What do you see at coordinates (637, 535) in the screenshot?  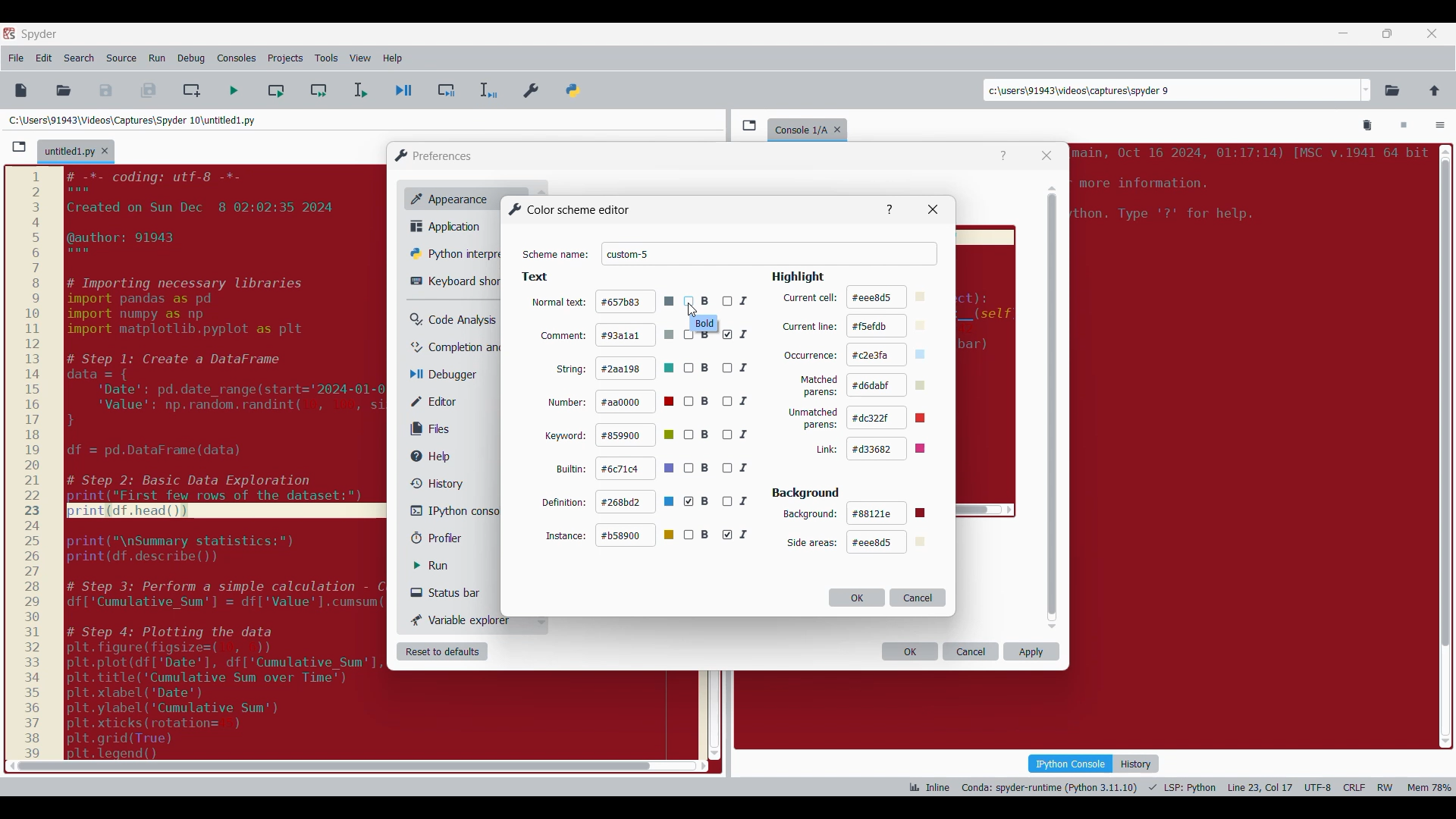 I see `#b58900` at bounding box center [637, 535].